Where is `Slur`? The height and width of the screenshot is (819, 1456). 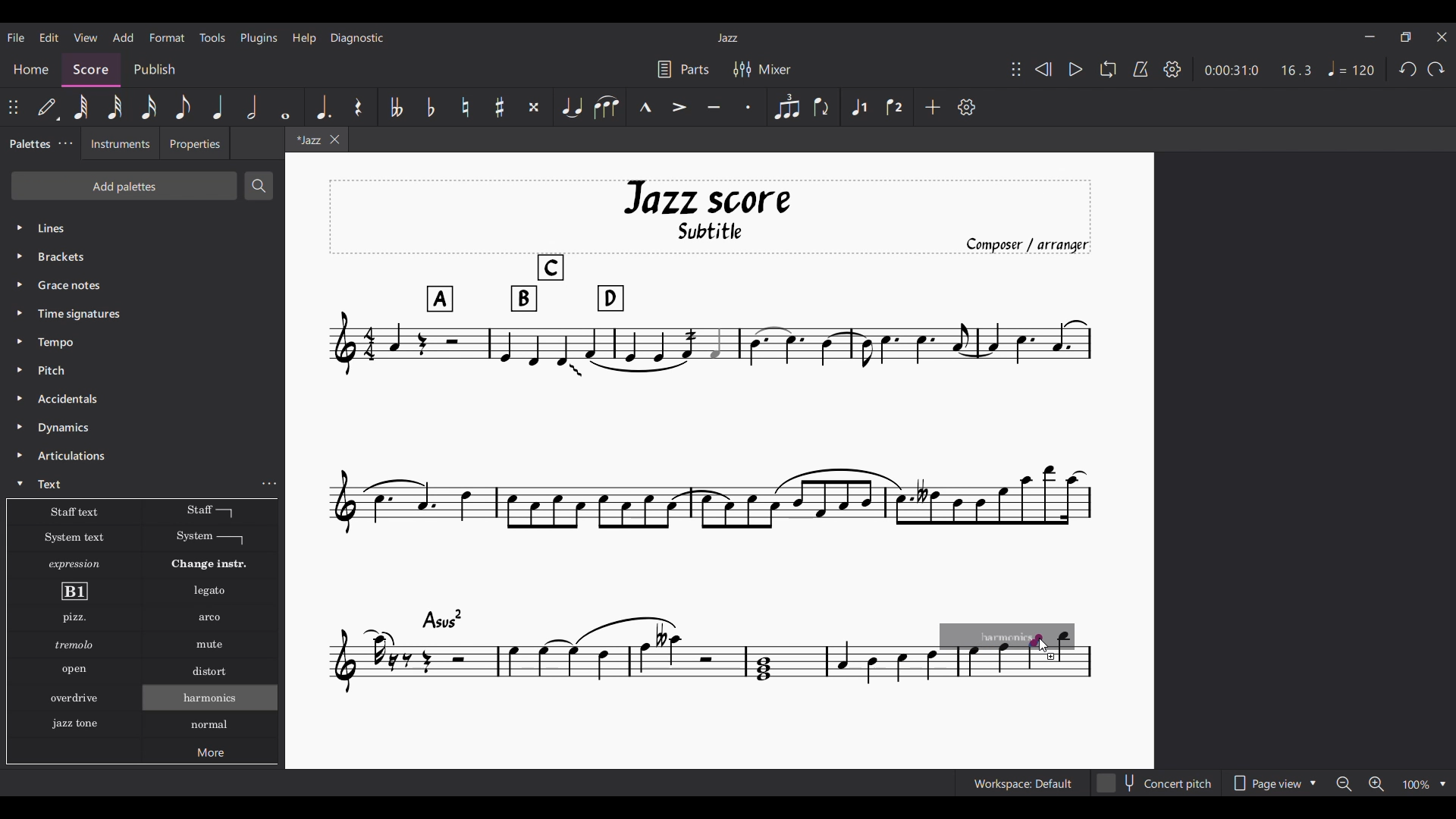
Slur is located at coordinates (607, 107).